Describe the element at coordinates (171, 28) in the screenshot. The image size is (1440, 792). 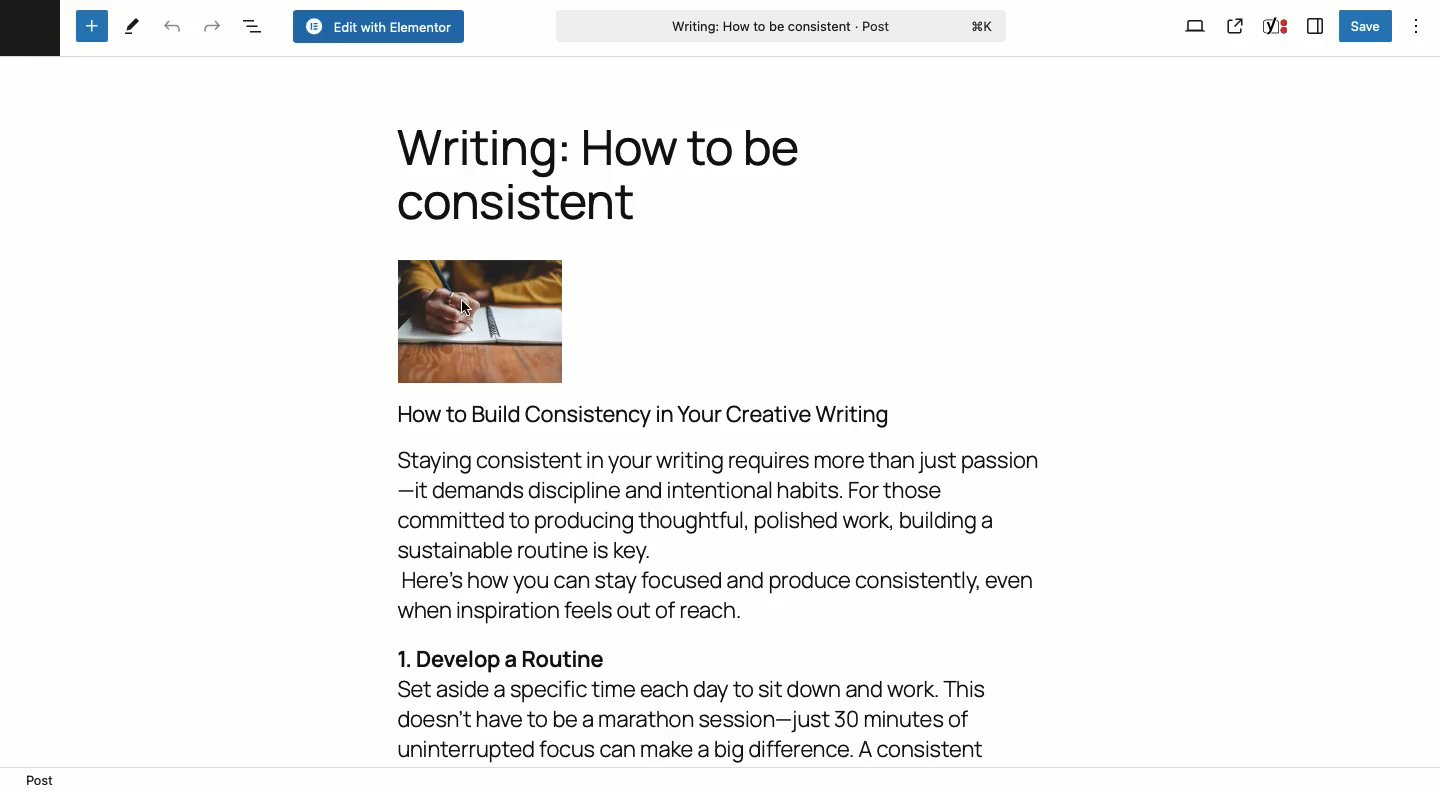
I see `Undo` at that location.